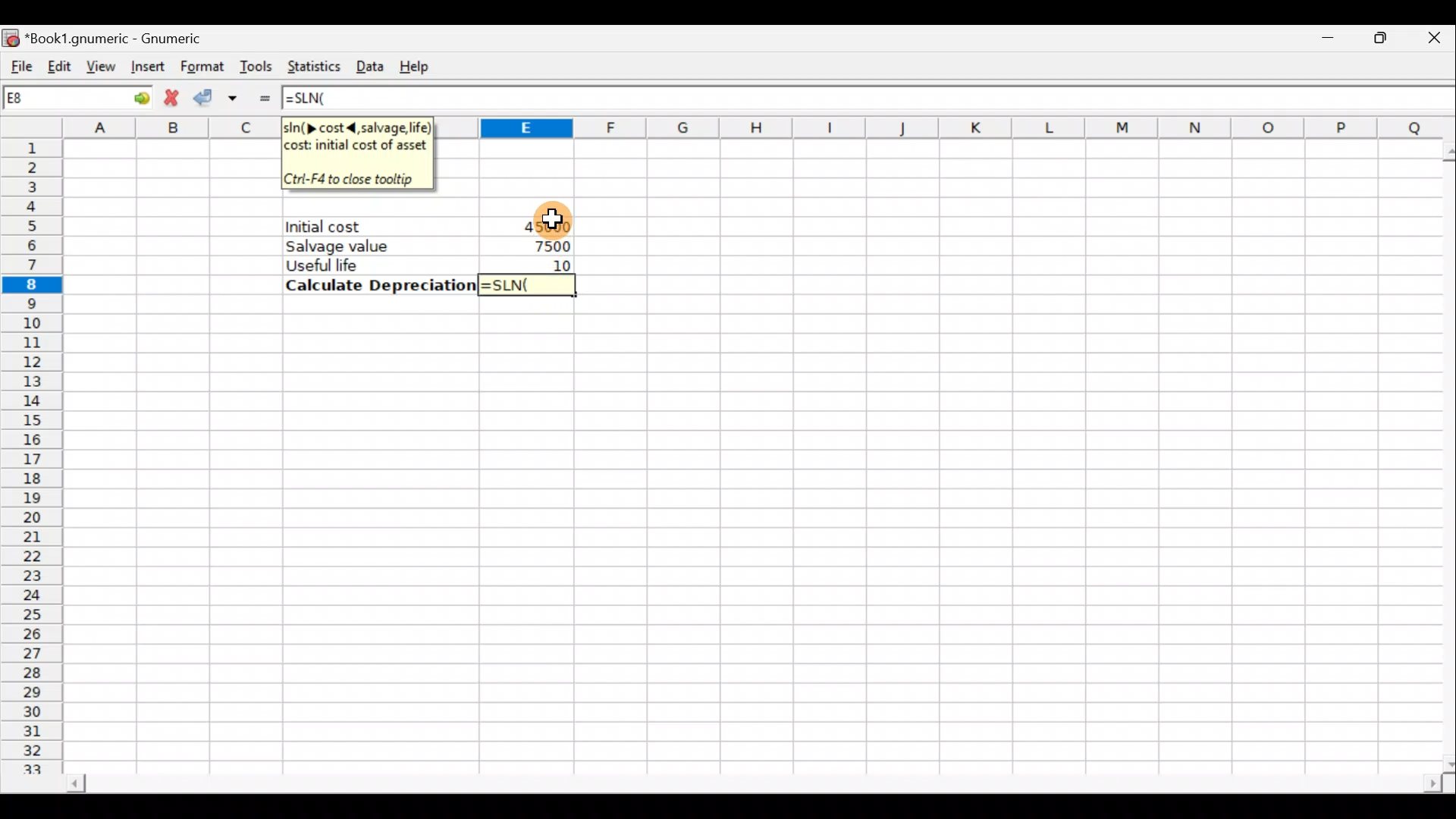 The image size is (1456, 819). Describe the element at coordinates (219, 96) in the screenshot. I see `Accept change` at that location.